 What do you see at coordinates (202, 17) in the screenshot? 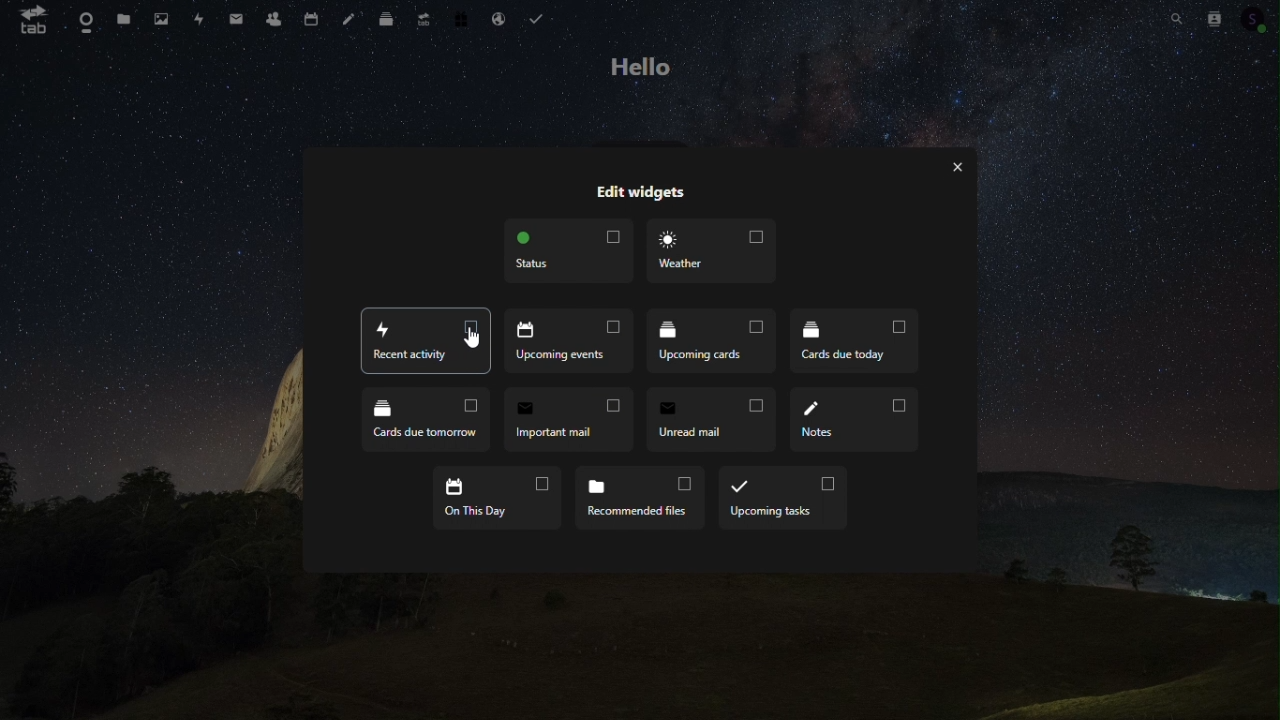
I see `Activity` at bounding box center [202, 17].